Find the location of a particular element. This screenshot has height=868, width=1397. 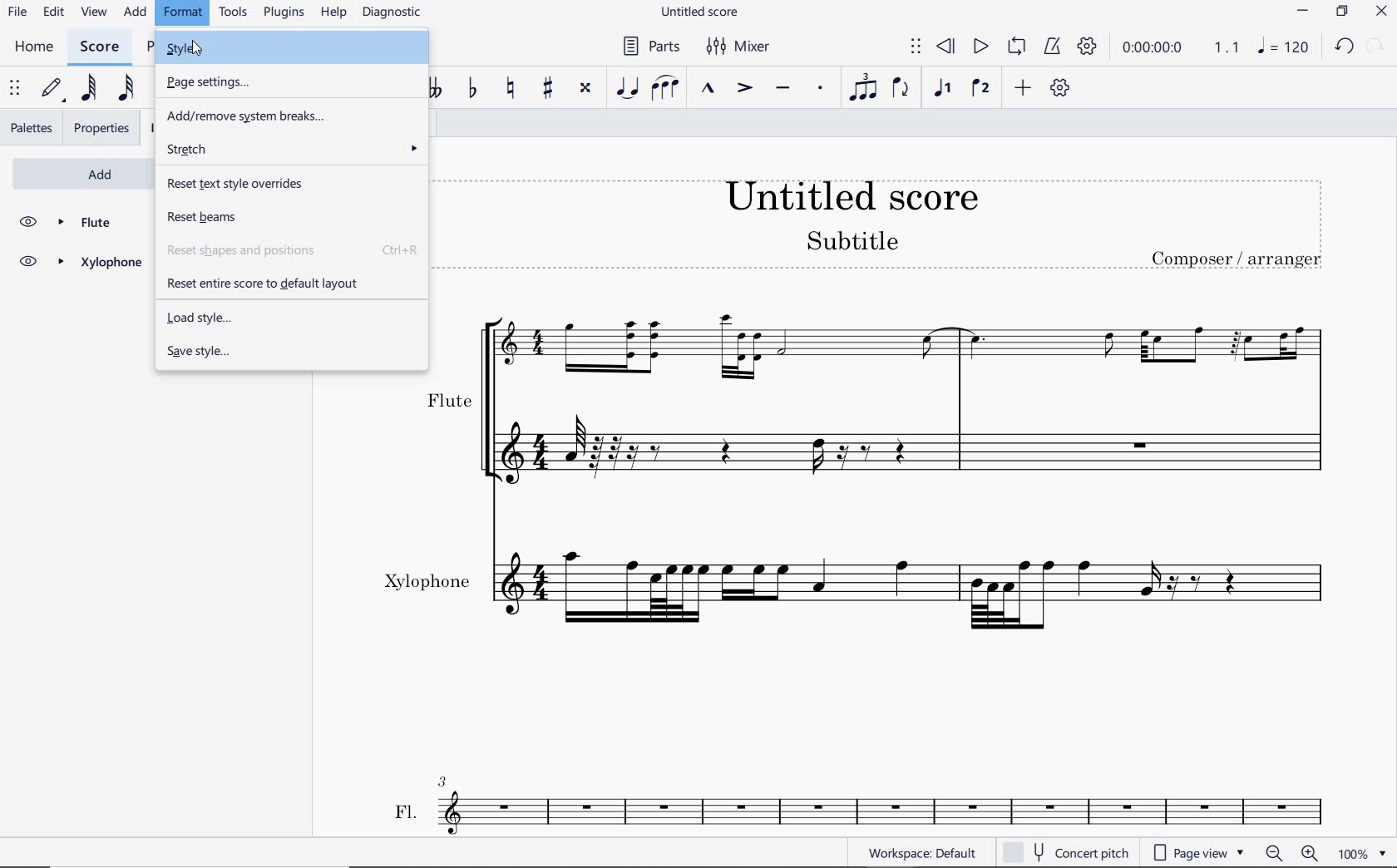

LOOP PLAYBACK is located at coordinates (1014, 47).